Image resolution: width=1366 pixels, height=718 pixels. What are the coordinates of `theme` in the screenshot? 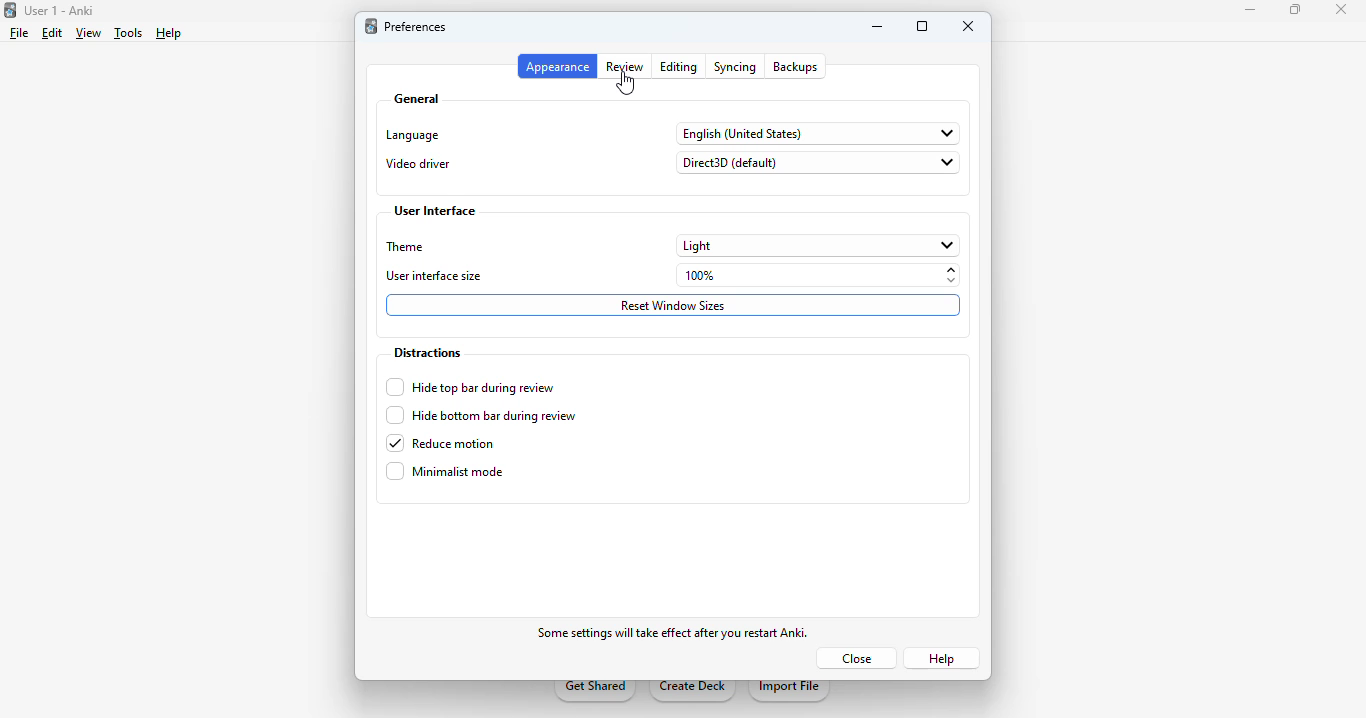 It's located at (406, 247).